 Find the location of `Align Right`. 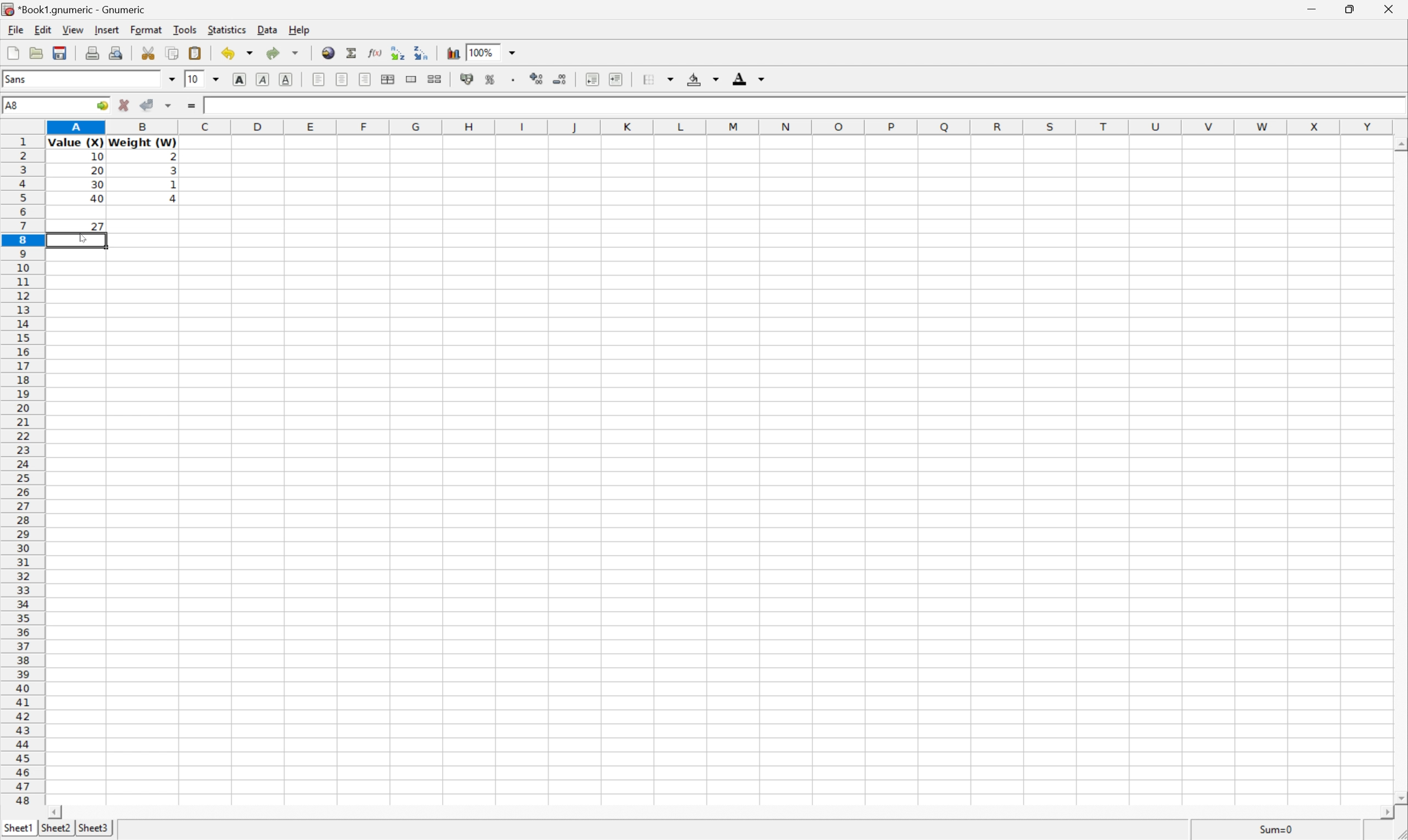

Align Right is located at coordinates (366, 79).